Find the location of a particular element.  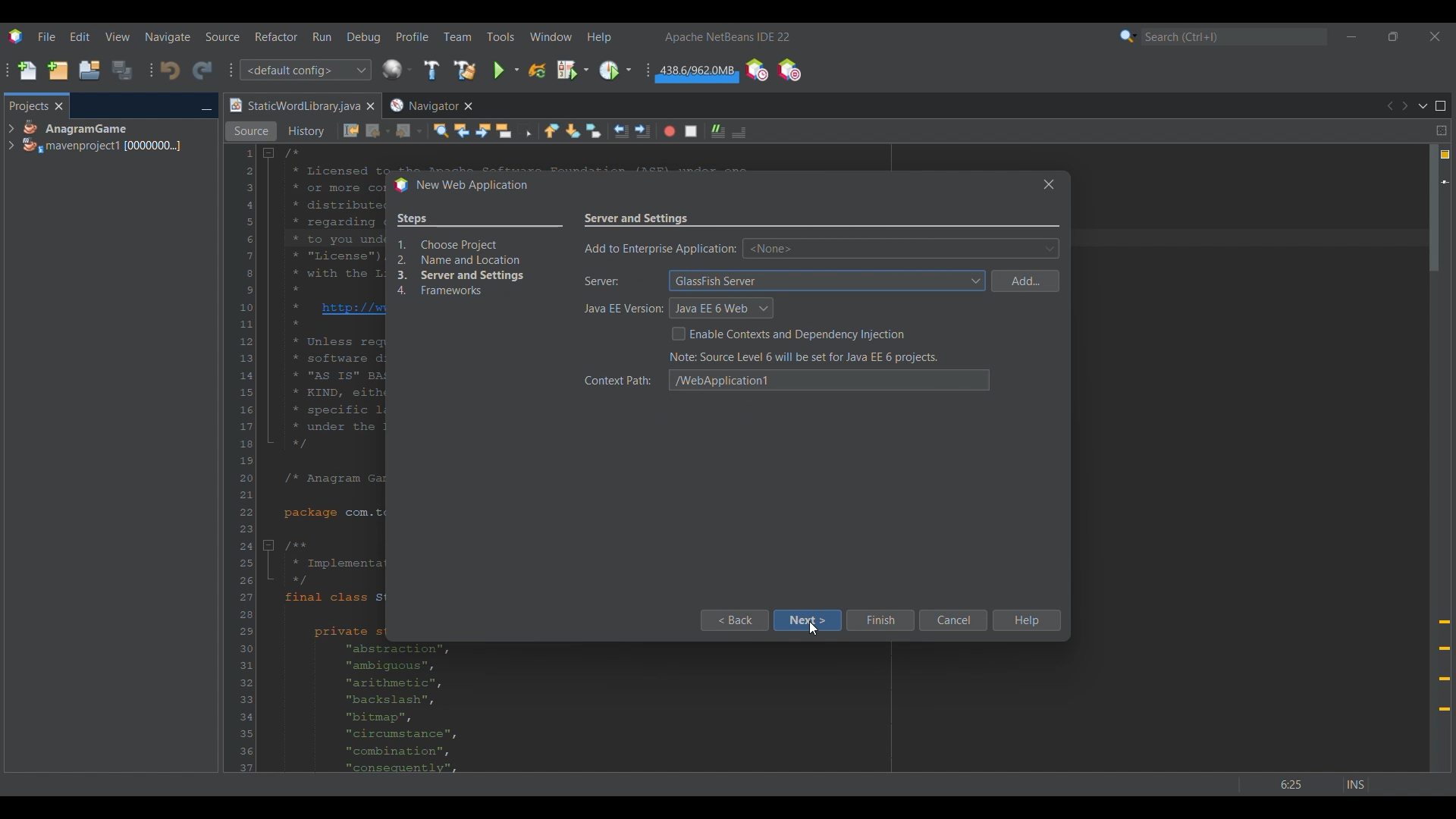

Add @override annotation is located at coordinates (1445, 666).